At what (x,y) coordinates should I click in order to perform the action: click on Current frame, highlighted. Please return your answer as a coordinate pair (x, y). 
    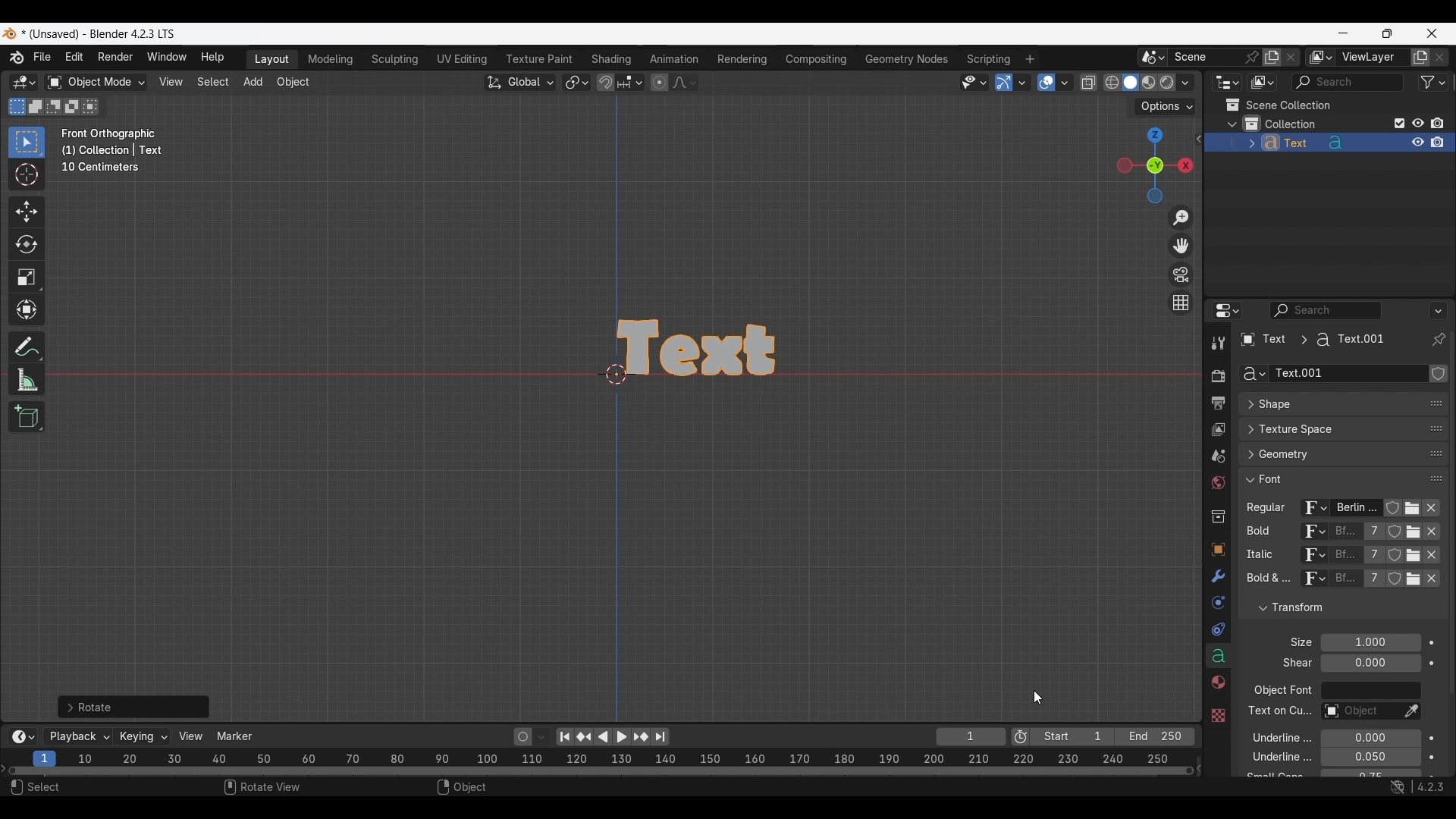
    Looking at the image, I should click on (45, 756).